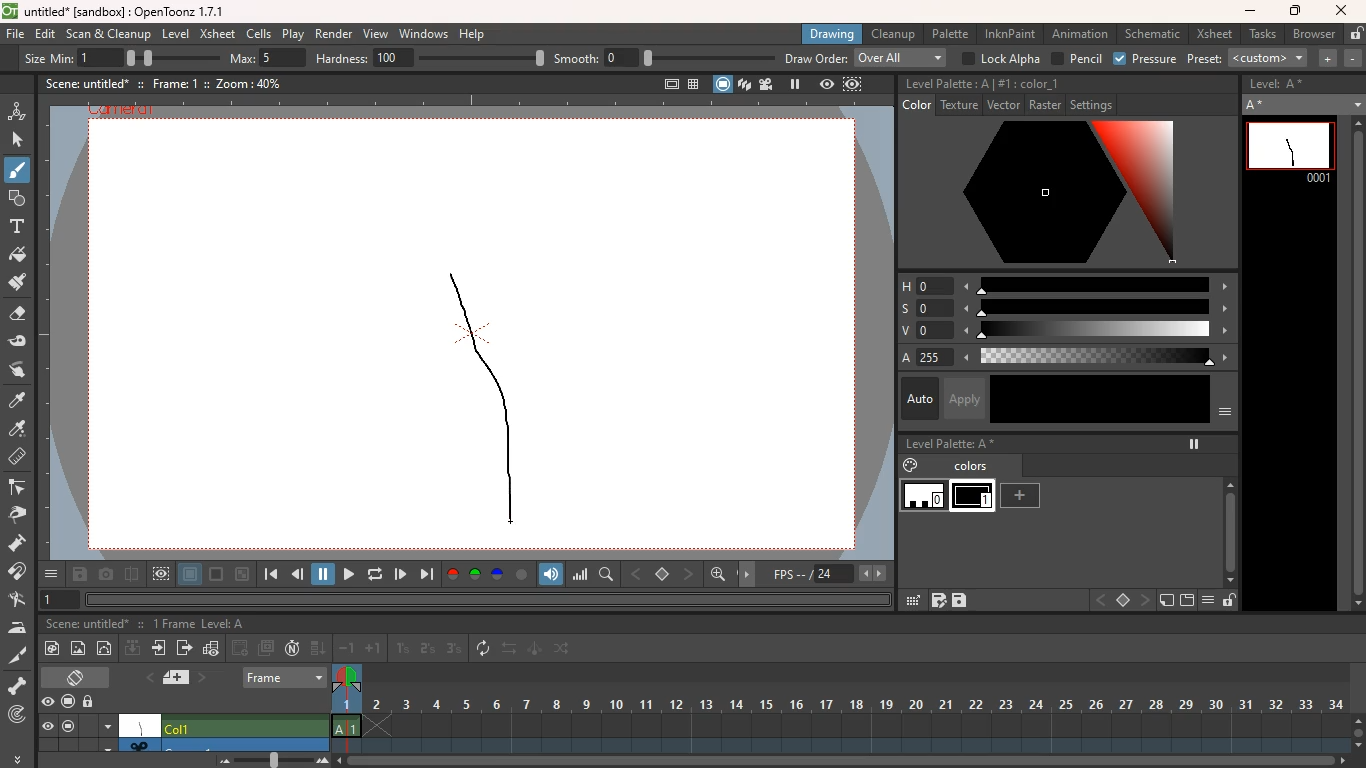  What do you see at coordinates (377, 35) in the screenshot?
I see `view` at bounding box center [377, 35].